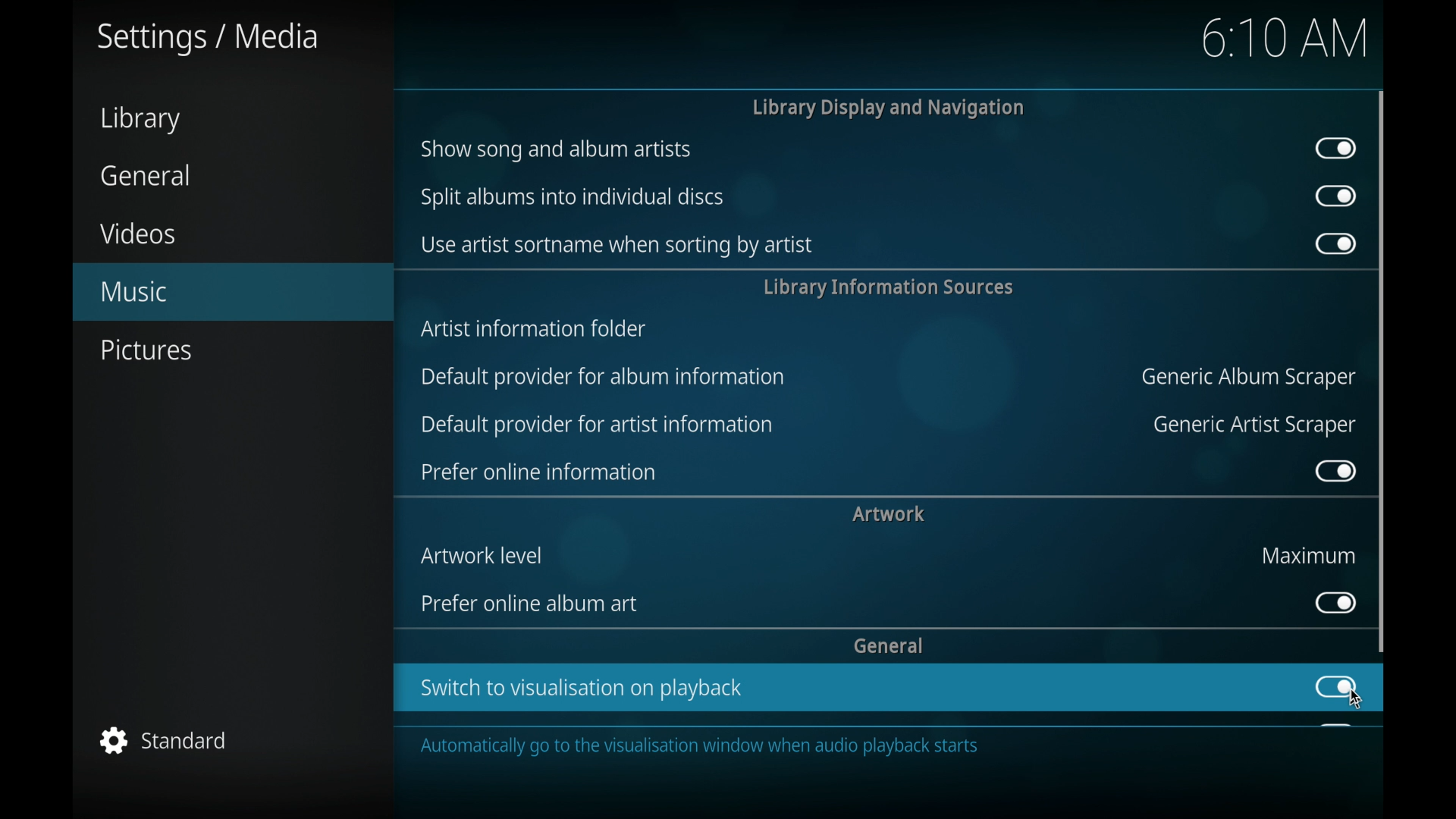 The width and height of the screenshot is (1456, 819). I want to click on artwork level, so click(485, 555).